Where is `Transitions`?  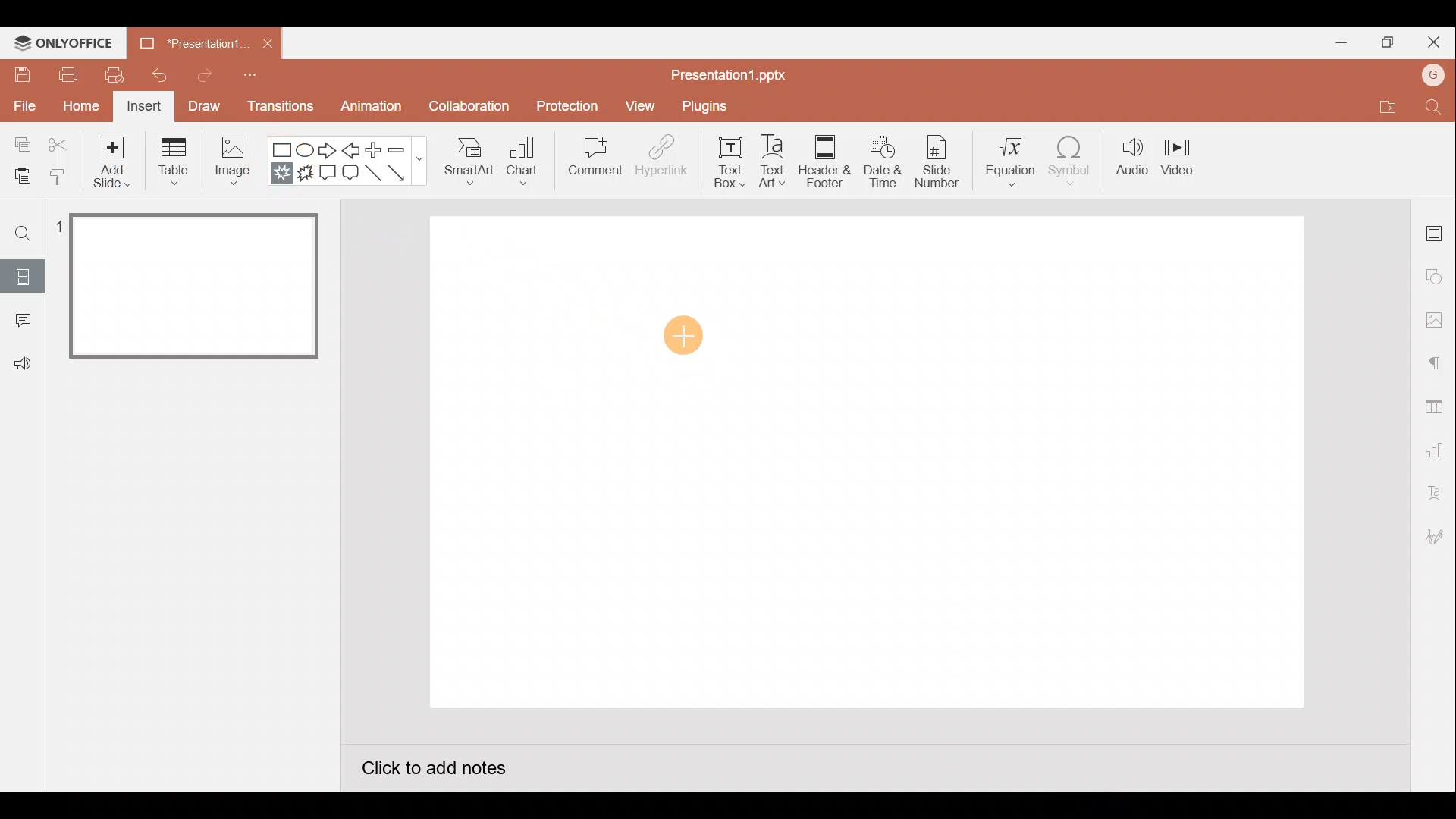
Transitions is located at coordinates (278, 106).